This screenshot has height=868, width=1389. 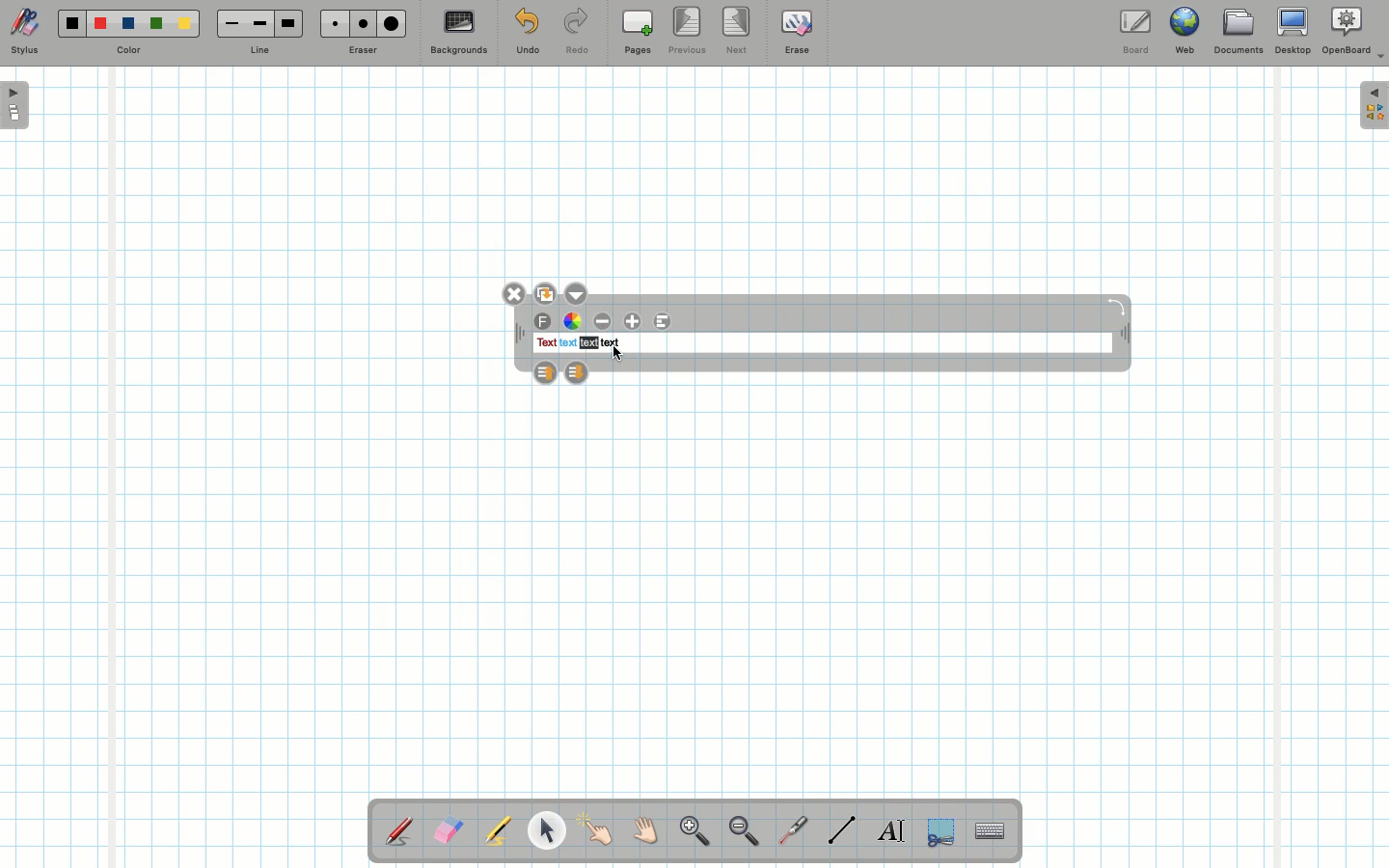 I want to click on Large eraser, so click(x=392, y=23).